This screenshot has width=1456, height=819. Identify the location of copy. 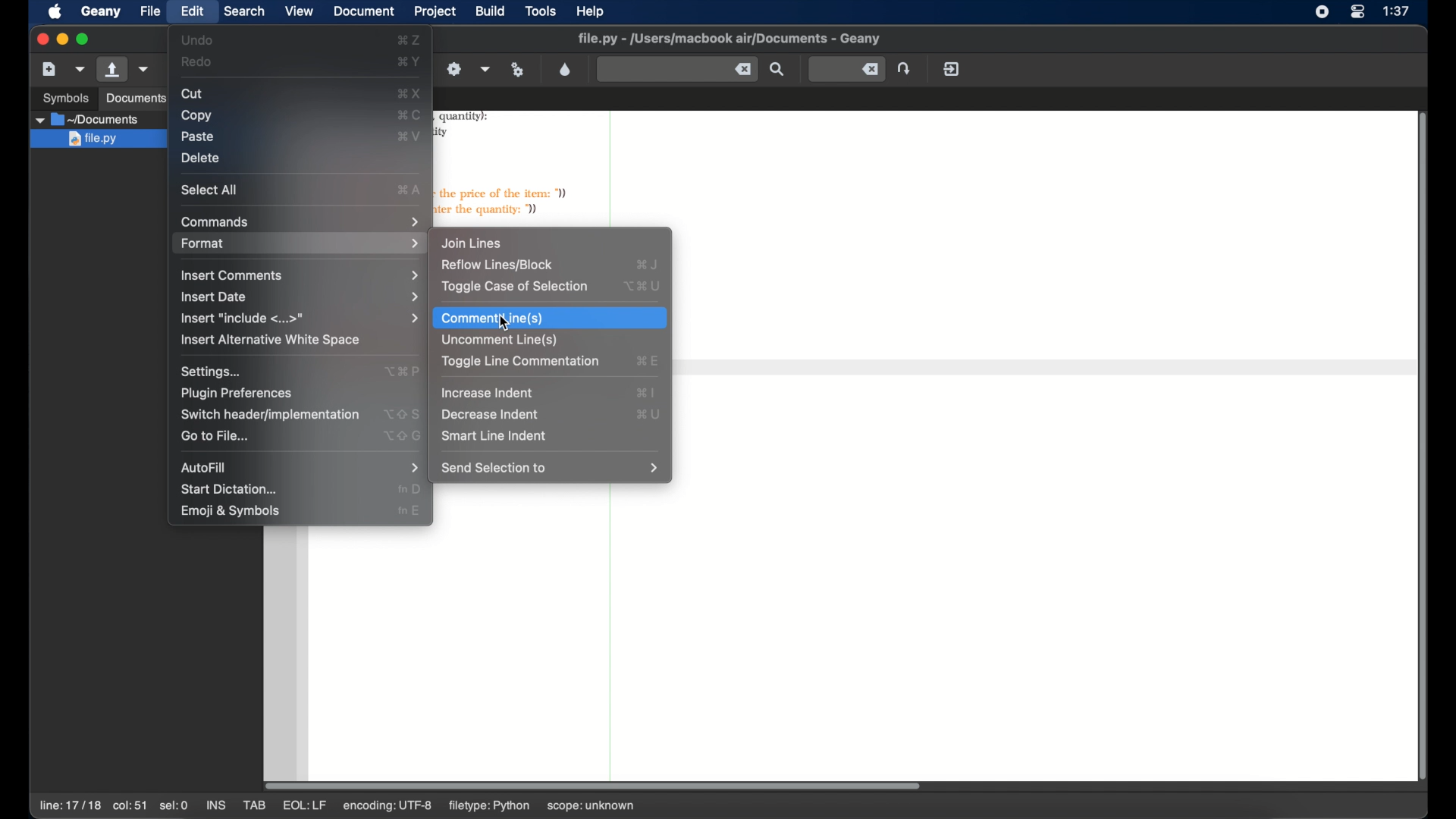
(196, 116).